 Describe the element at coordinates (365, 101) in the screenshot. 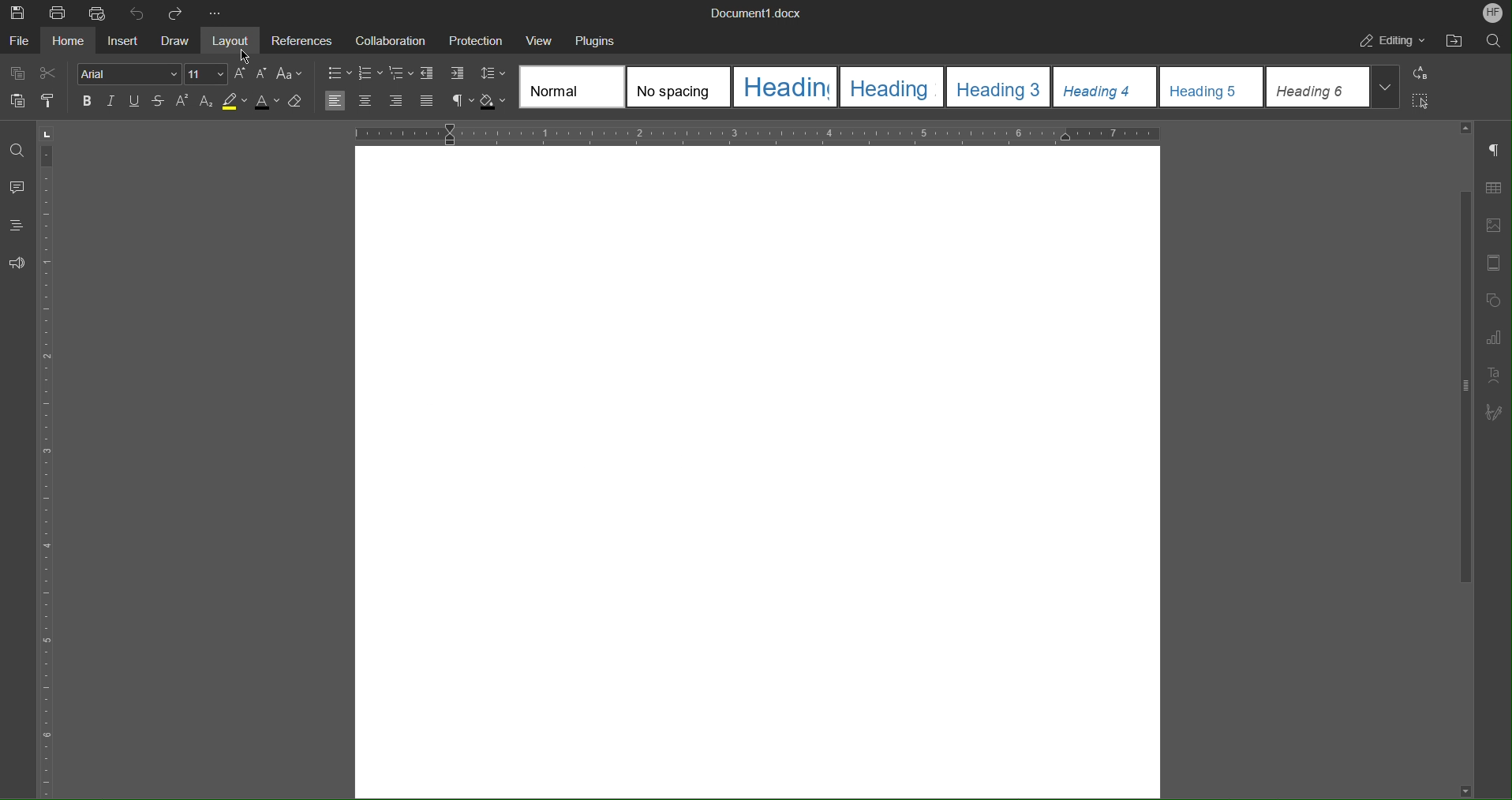

I see `Center Align` at that location.